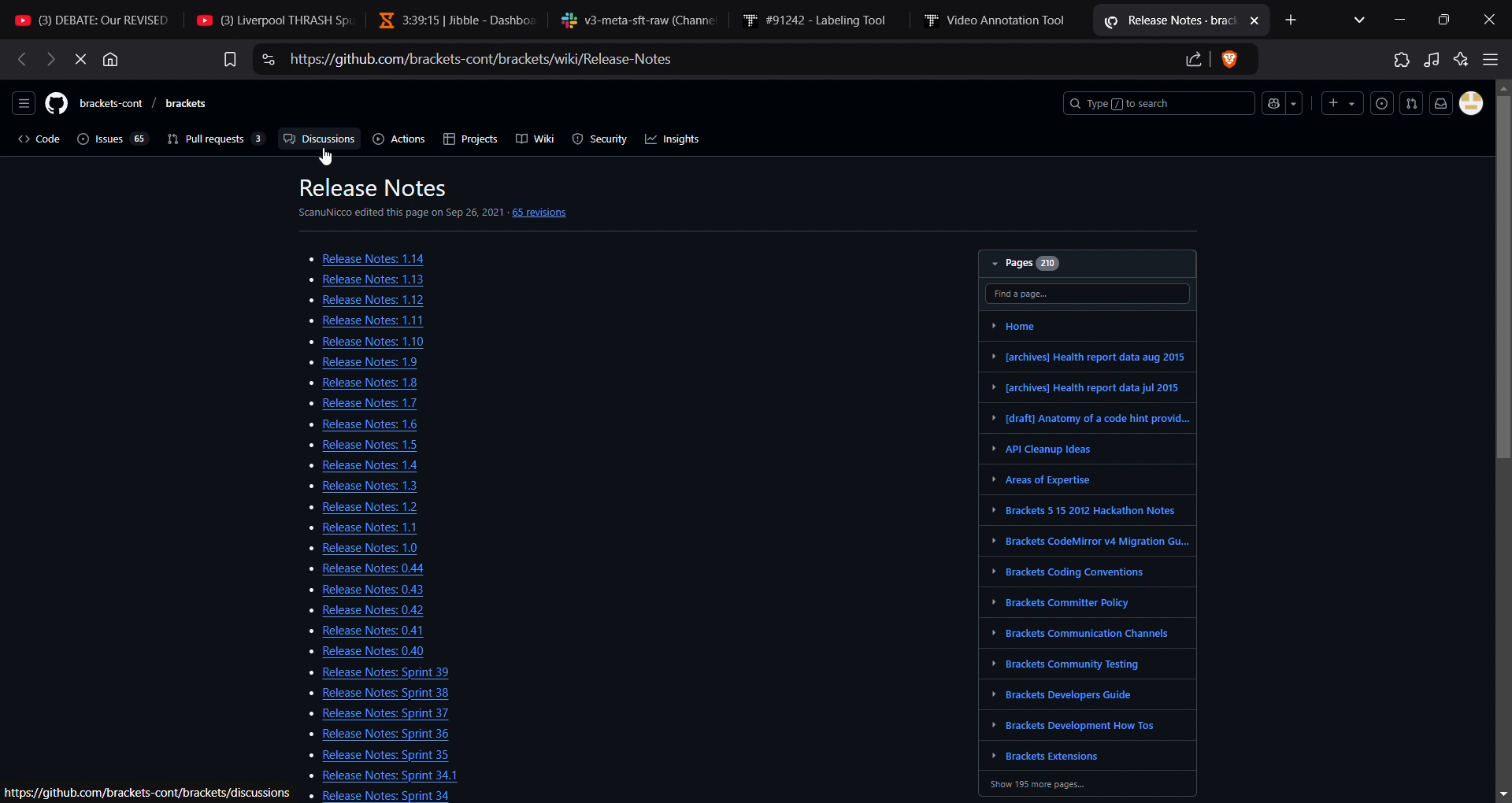  Describe the element at coordinates (1088, 540) in the screenshot. I see `» Brackets CodeMirror v4 Migration Gu...` at that location.